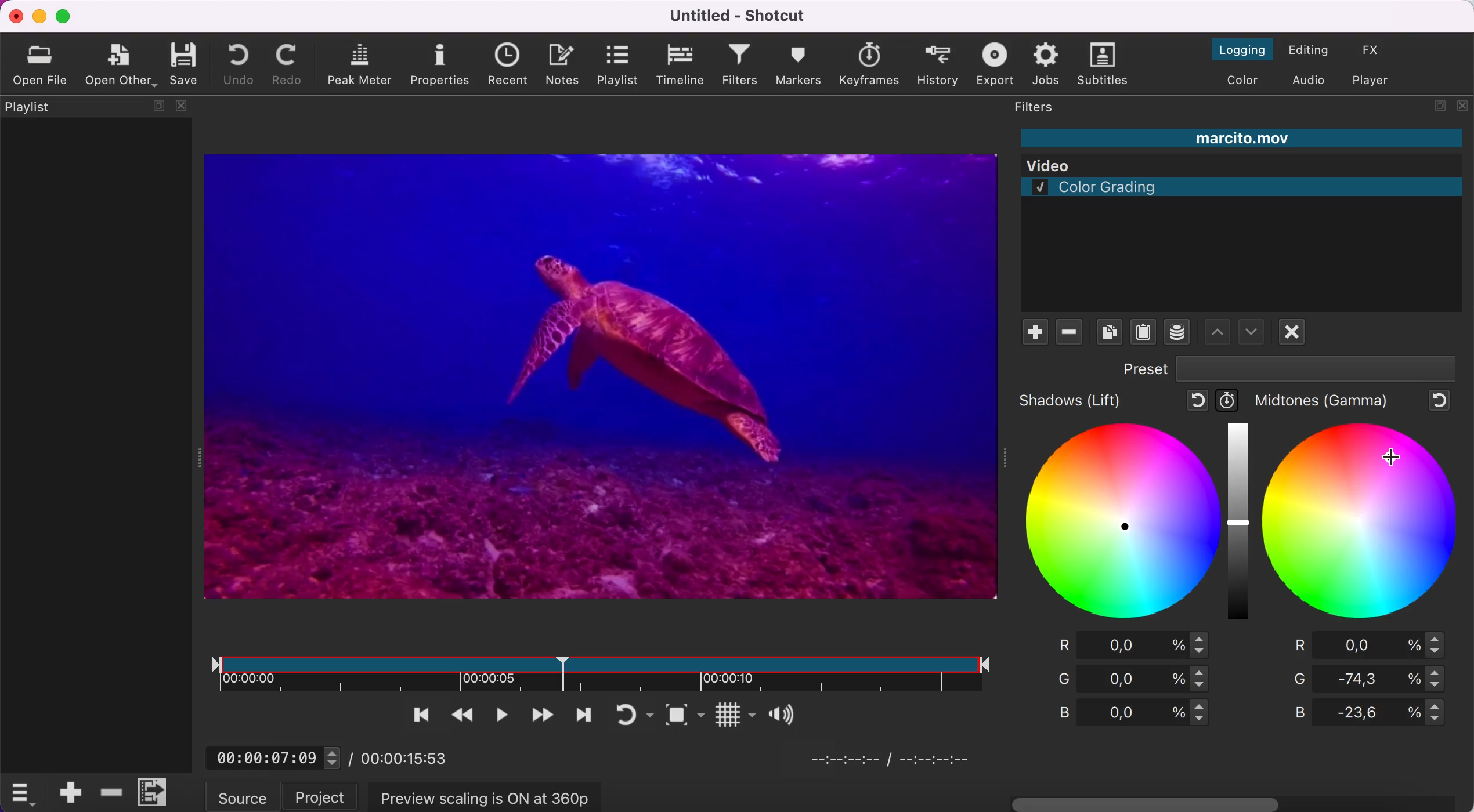 The width and height of the screenshot is (1474, 812). Describe the element at coordinates (1240, 139) in the screenshot. I see `marcito.mov` at that location.